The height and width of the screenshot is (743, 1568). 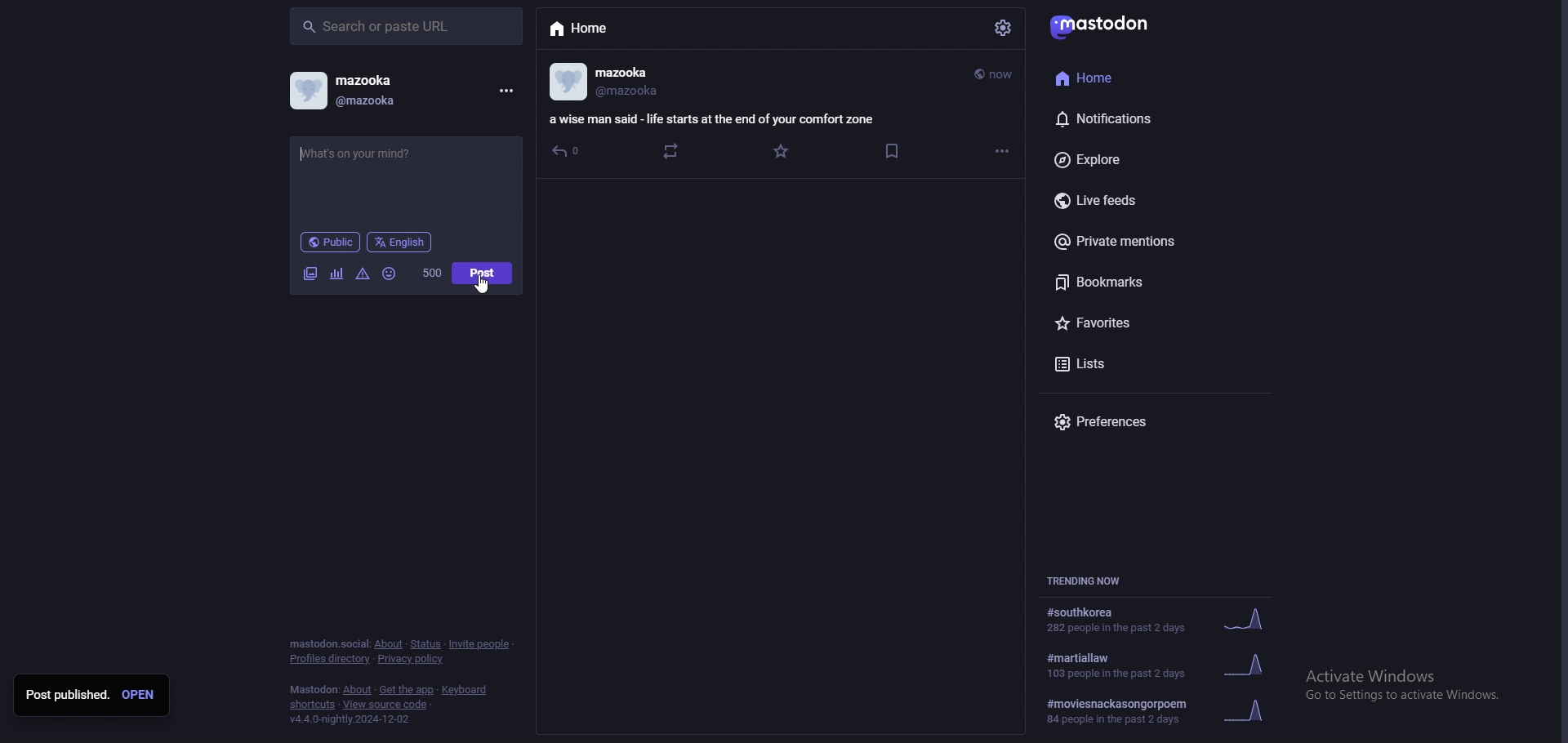 I want to click on time, so click(x=996, y=74).